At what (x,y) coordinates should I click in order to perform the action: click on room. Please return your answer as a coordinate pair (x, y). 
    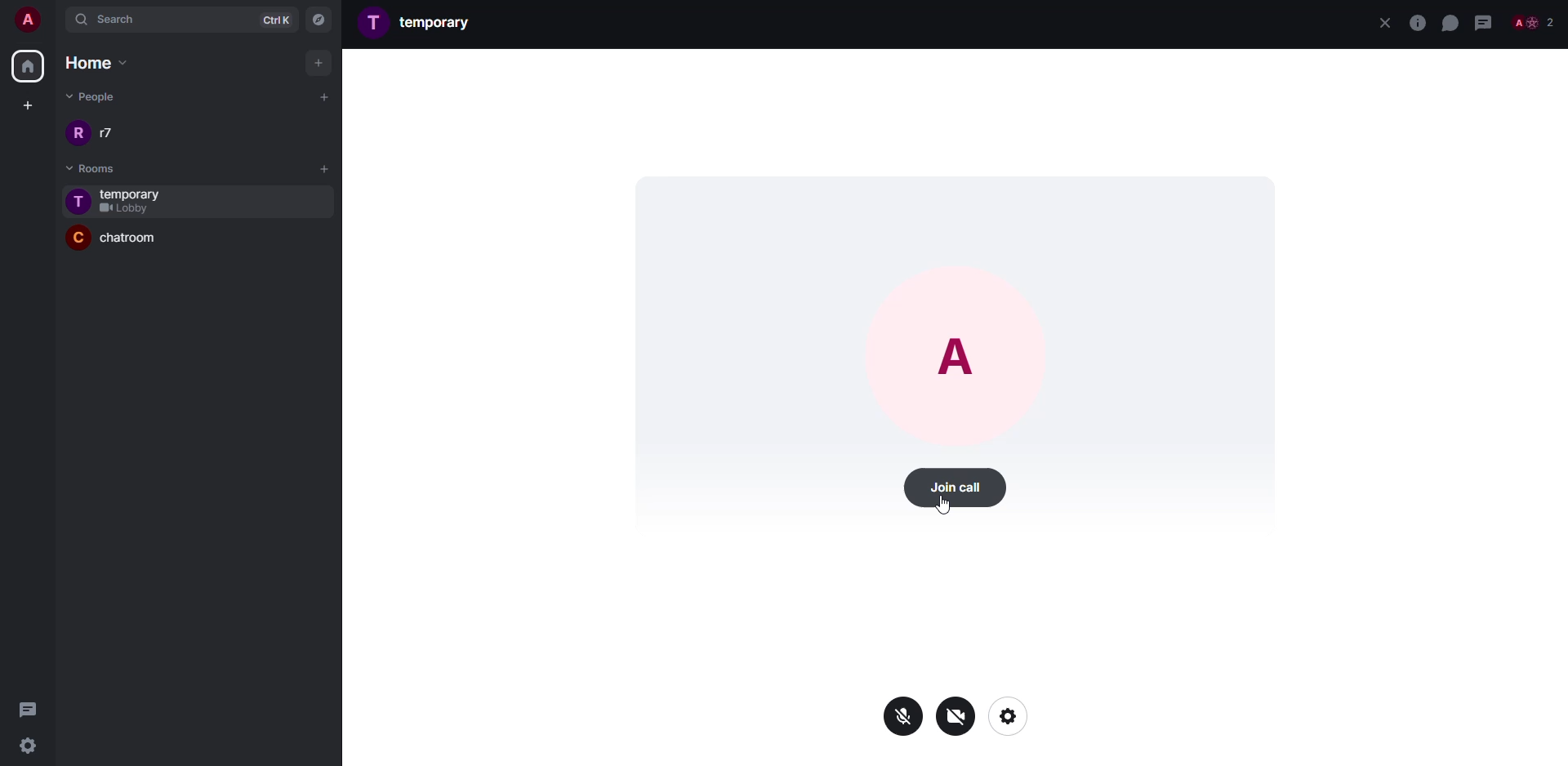
    Looking at the image, I should click on (439, 21).